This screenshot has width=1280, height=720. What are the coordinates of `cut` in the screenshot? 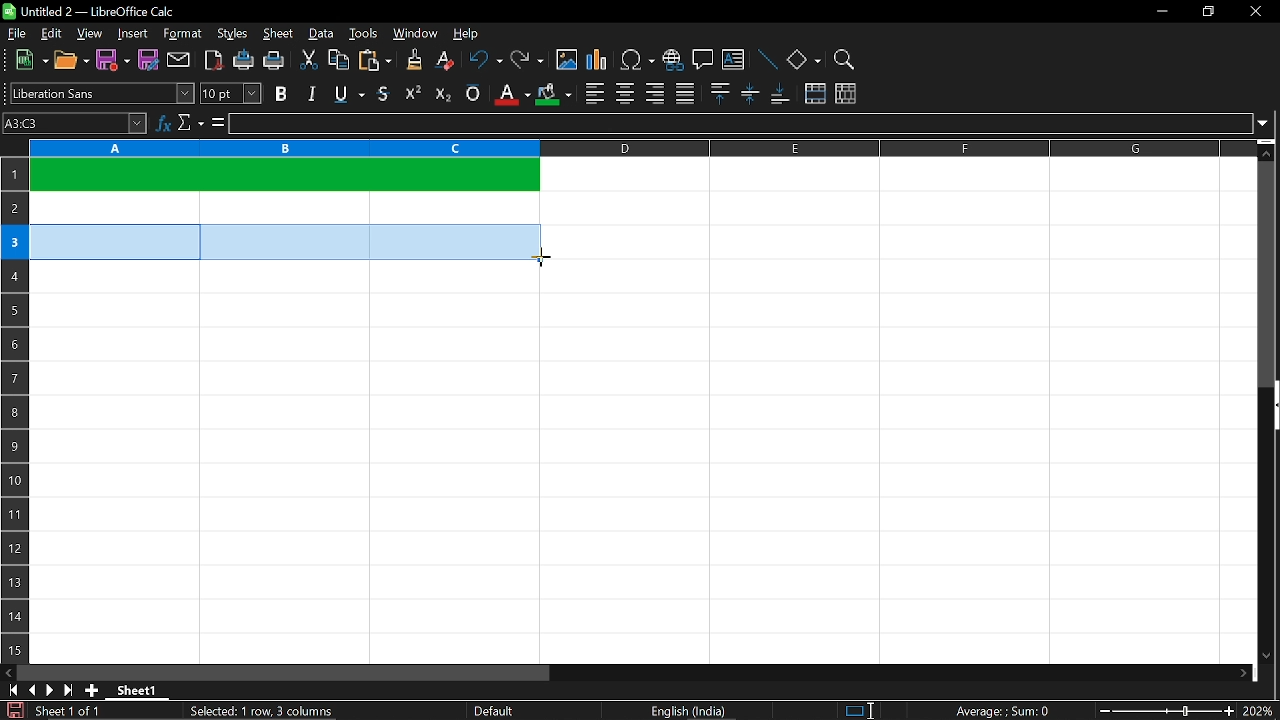 It's located at (310, 60).